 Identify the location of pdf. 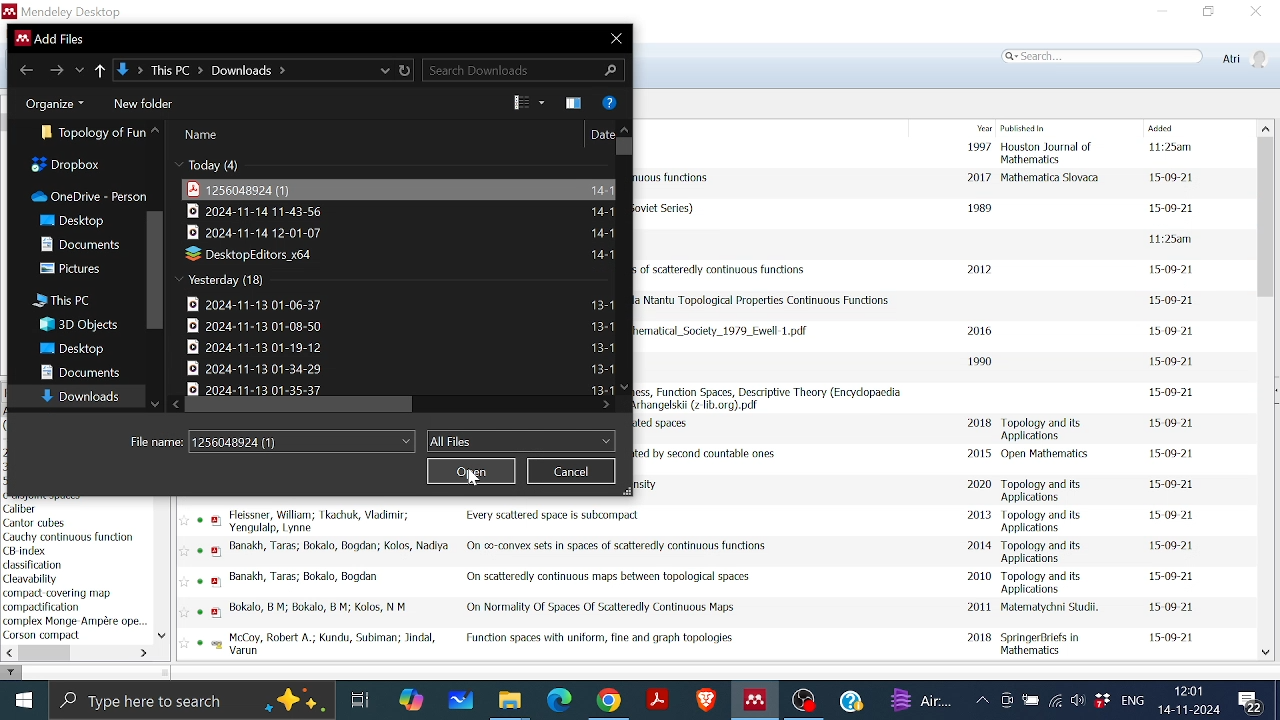
(216, 581).